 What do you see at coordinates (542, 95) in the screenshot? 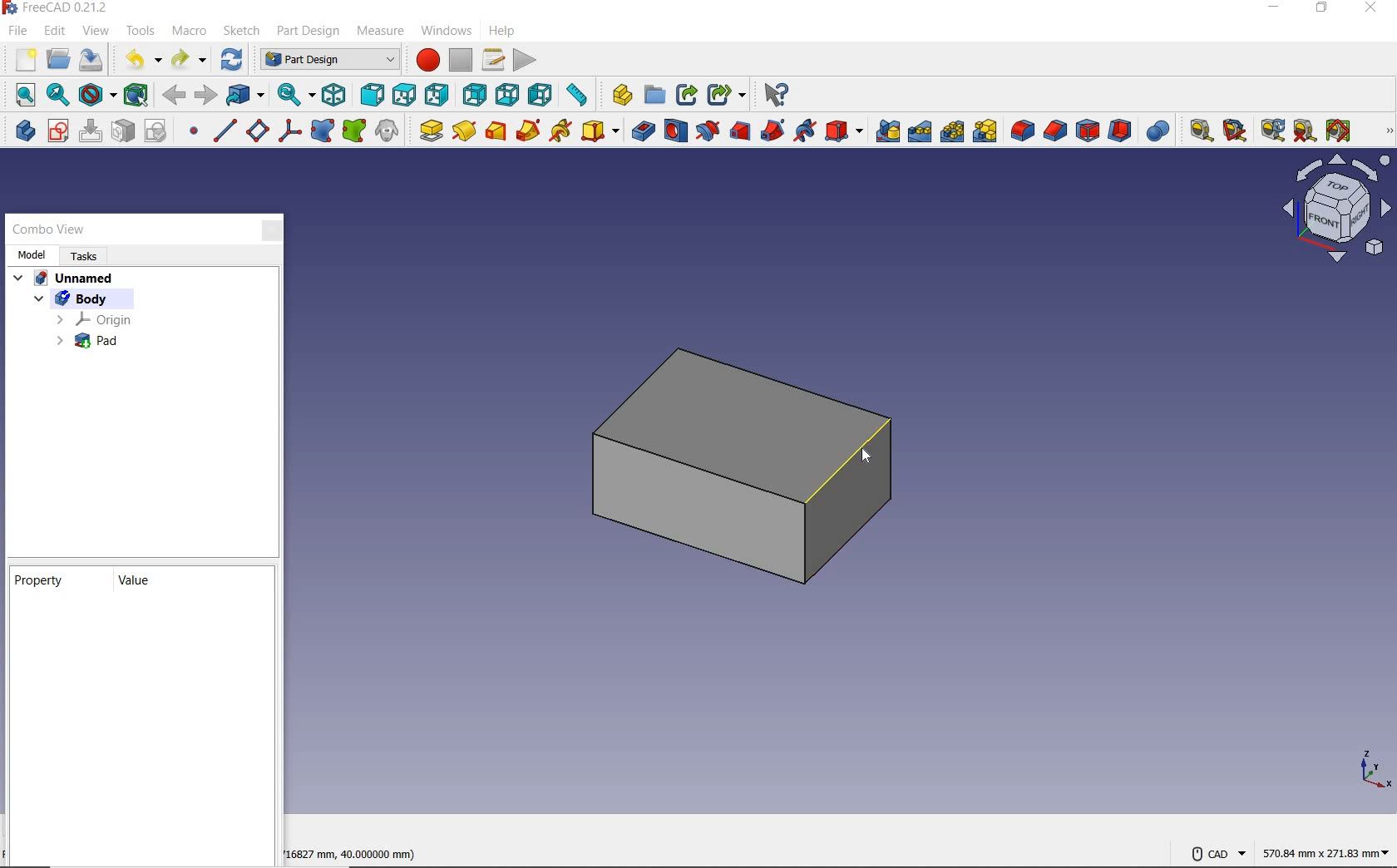
I see `left` at bounding box center [542, 95].